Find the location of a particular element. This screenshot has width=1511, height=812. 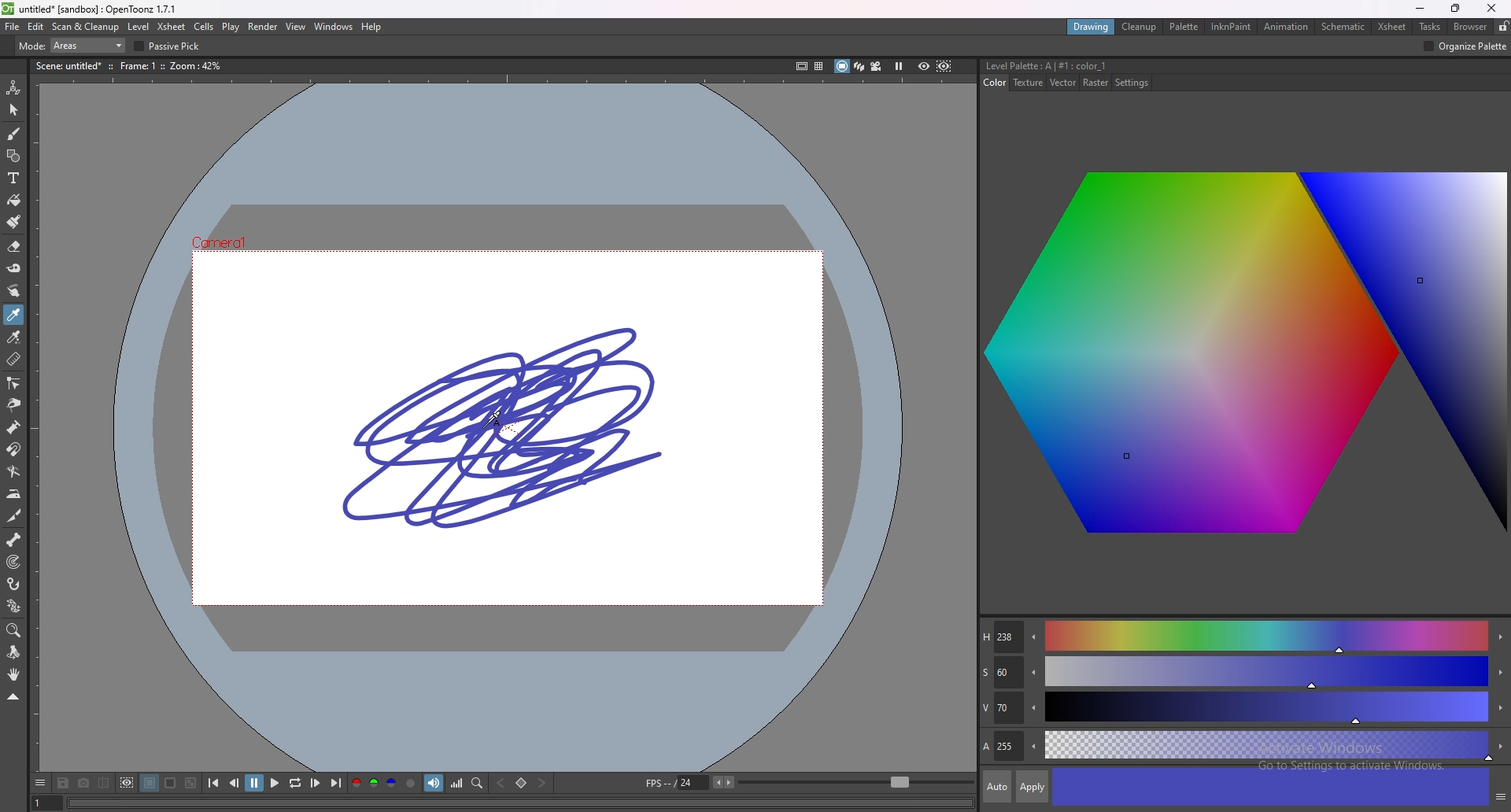

black background is located at coordinates (150, 783).